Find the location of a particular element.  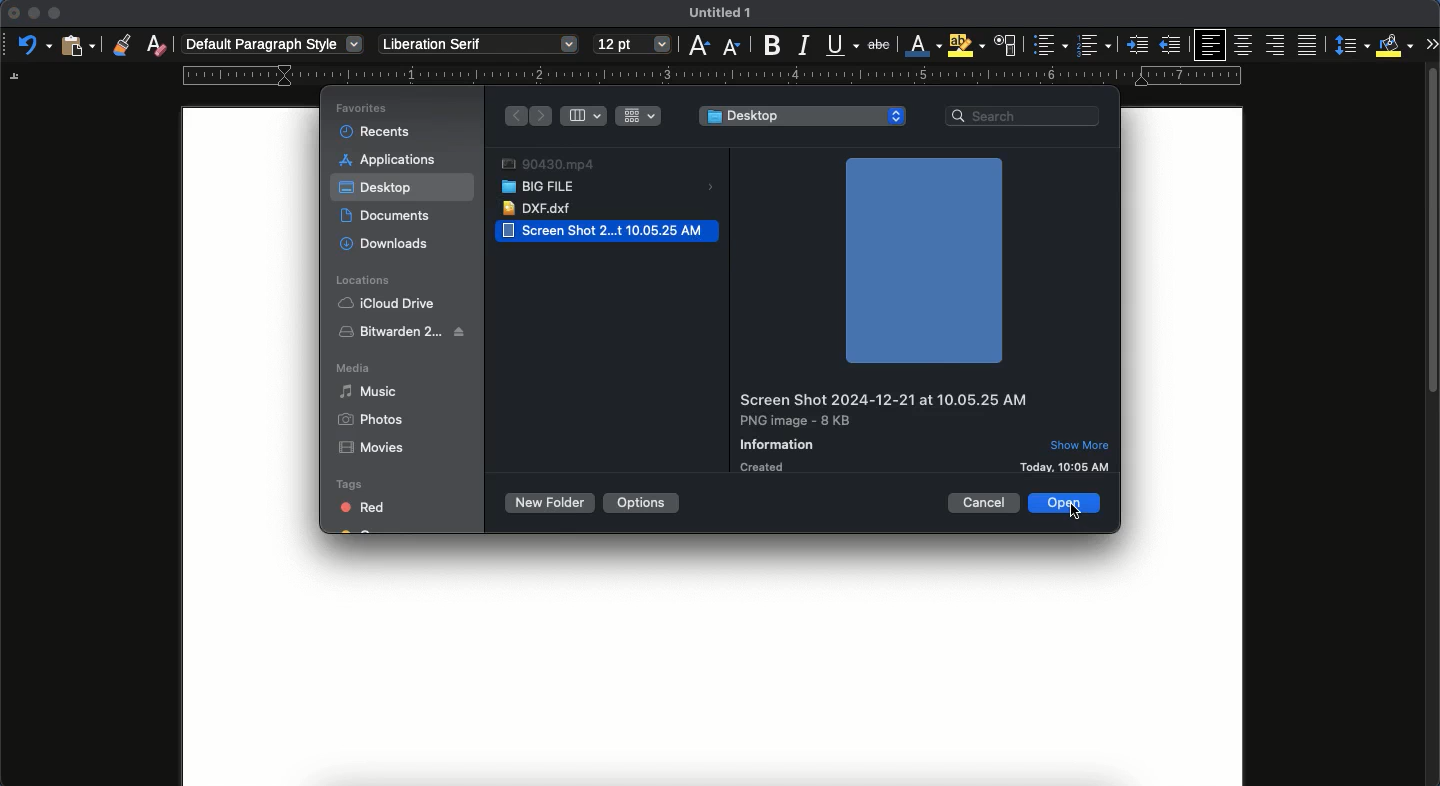

tags is located at coordinates (355, 486).